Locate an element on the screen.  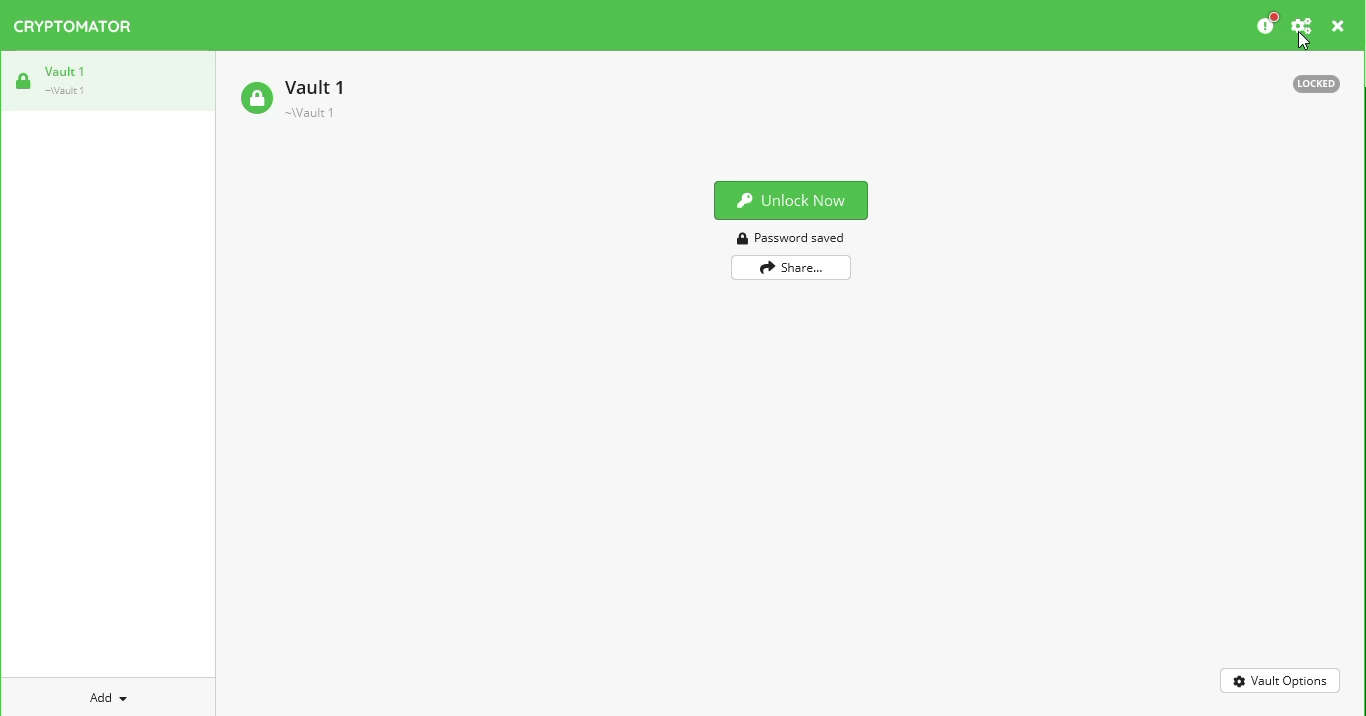
share is located at coordinates (791, 267).